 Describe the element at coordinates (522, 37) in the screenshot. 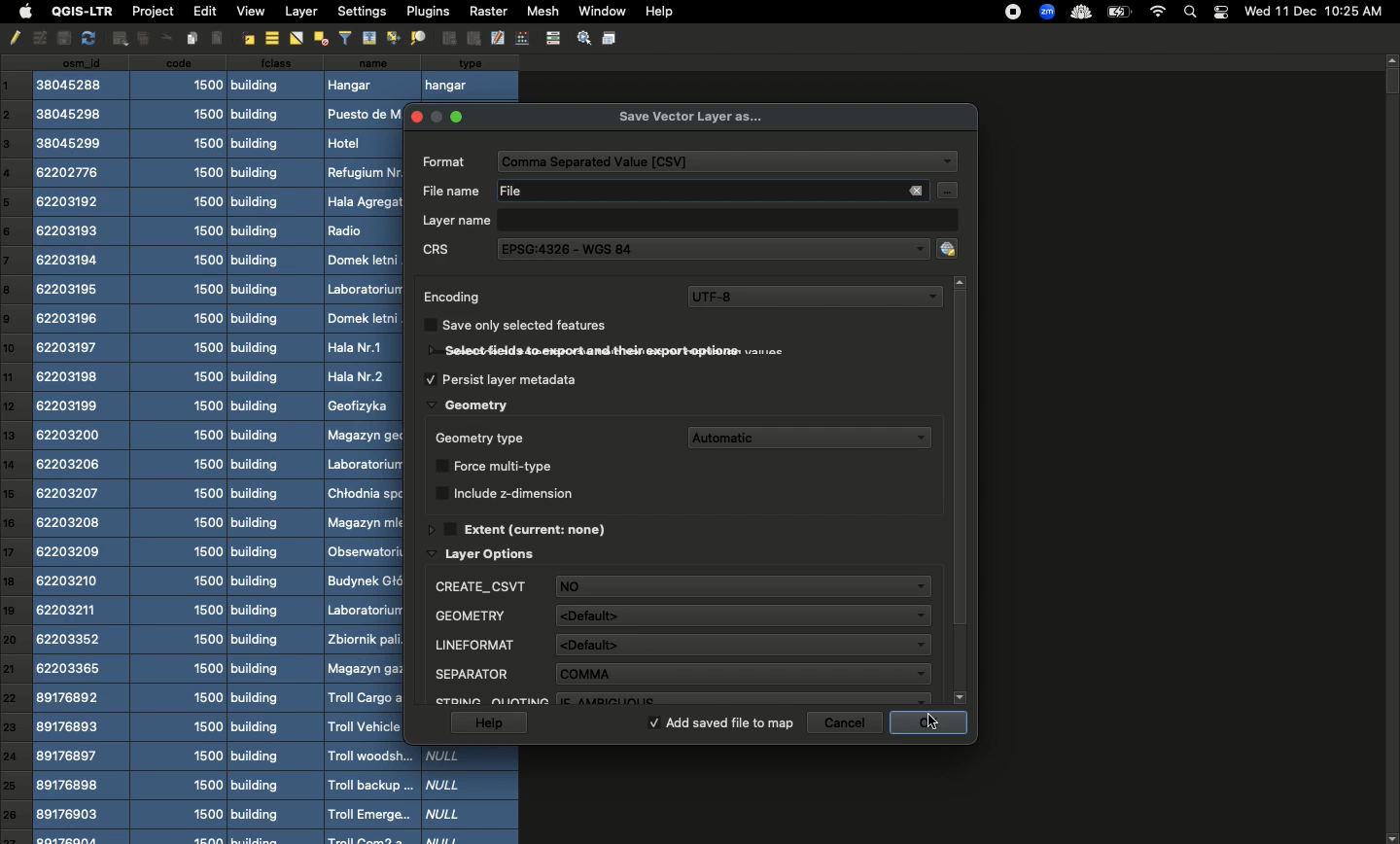

I see `Edit Points` at that location.